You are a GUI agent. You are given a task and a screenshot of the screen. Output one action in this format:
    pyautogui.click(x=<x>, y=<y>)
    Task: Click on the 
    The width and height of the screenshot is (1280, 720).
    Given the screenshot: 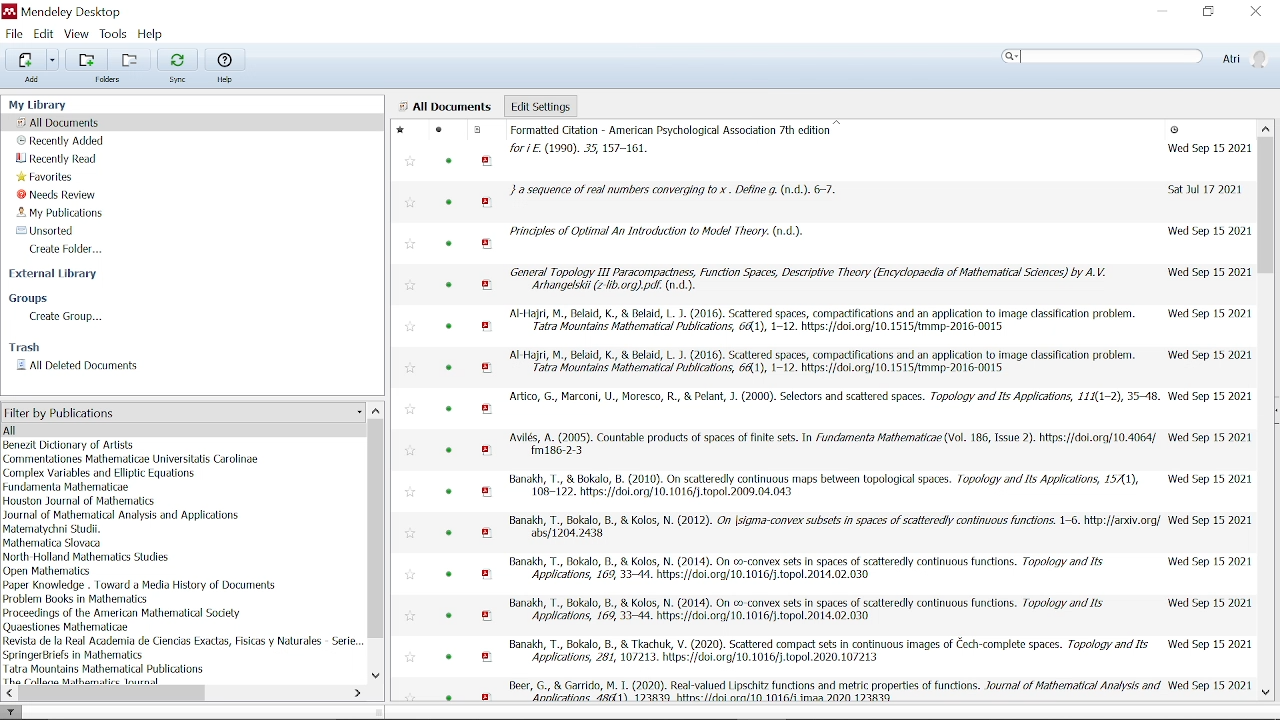 What is the action you would take?
    pyautogui.click(x=12, y=693)
    